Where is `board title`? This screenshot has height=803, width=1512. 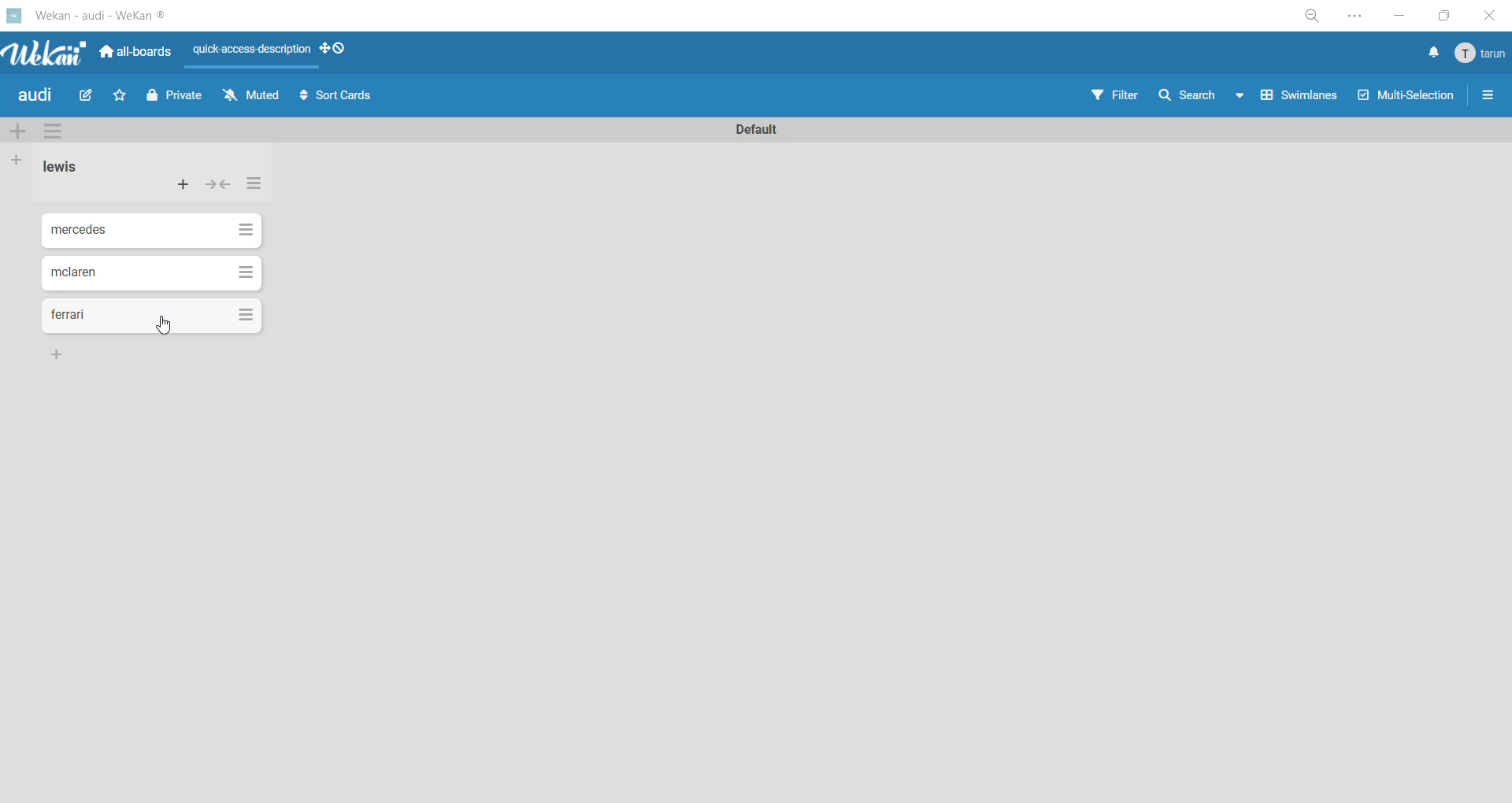
board title is located at coordinates (35, 97).